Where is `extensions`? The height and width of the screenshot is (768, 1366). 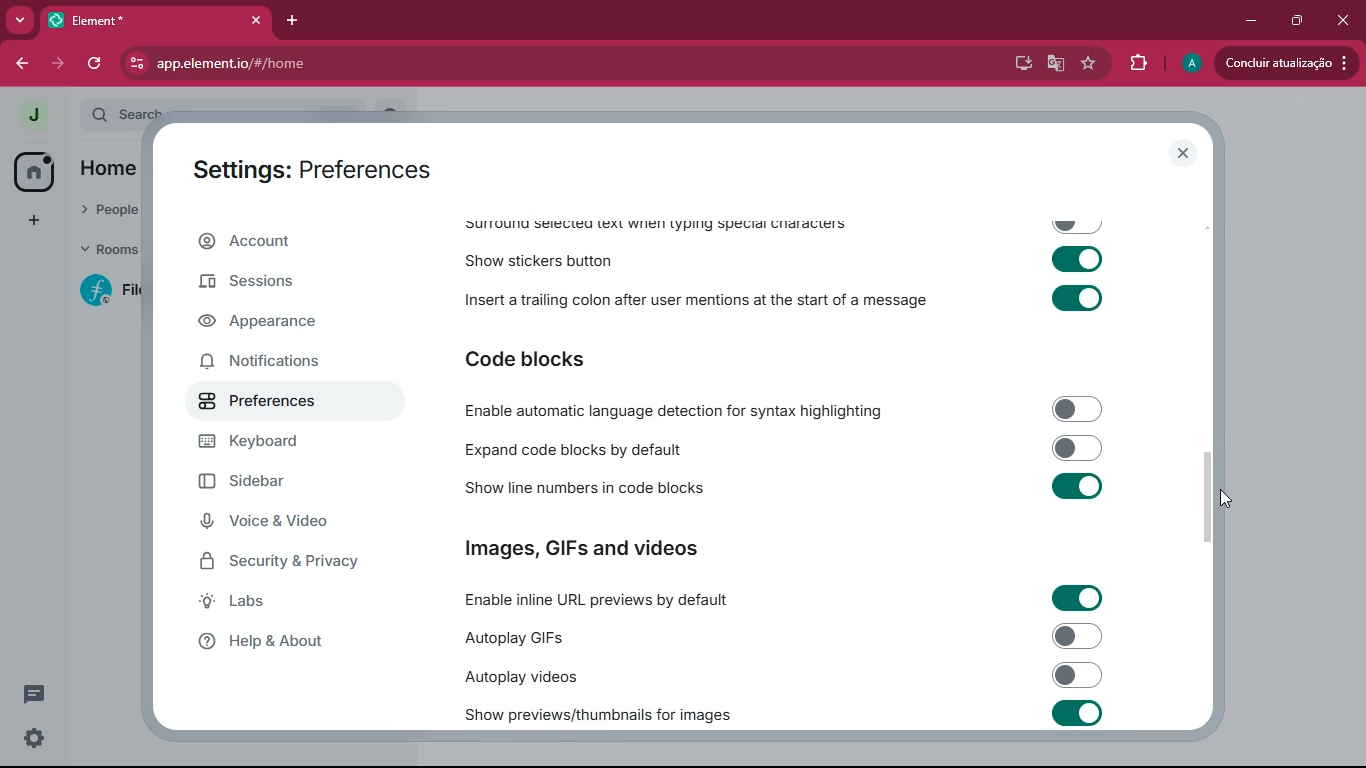
extensions is located at coordinates (1135, 63).